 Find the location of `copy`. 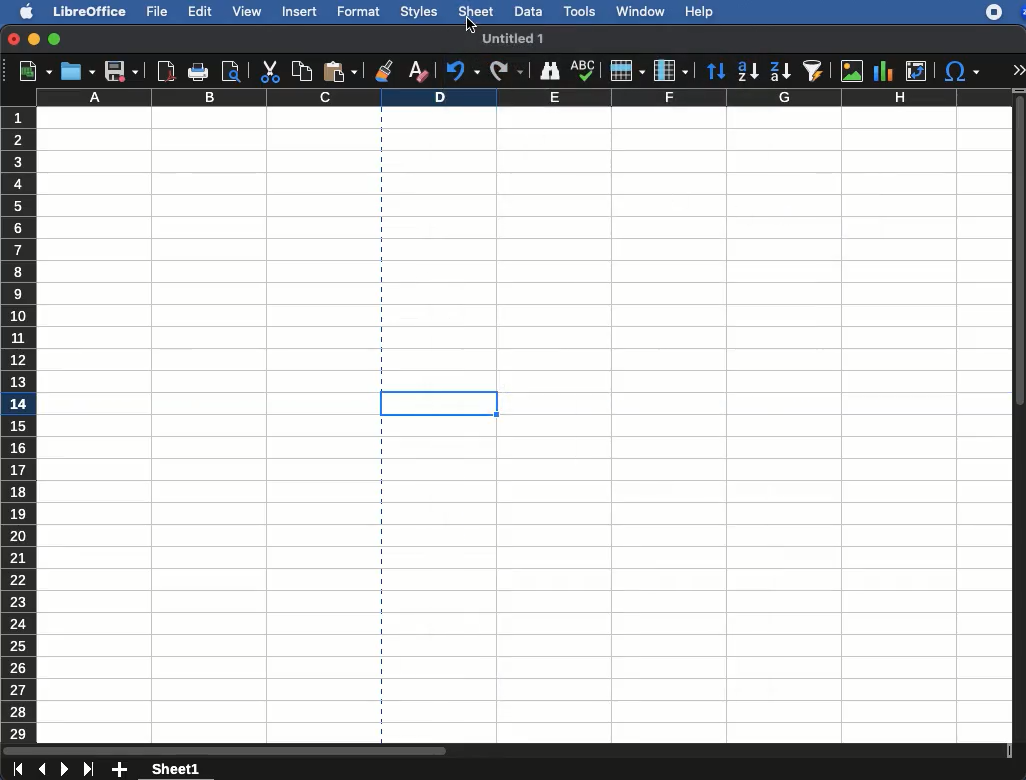

copy is located at coordinates (302, 70).